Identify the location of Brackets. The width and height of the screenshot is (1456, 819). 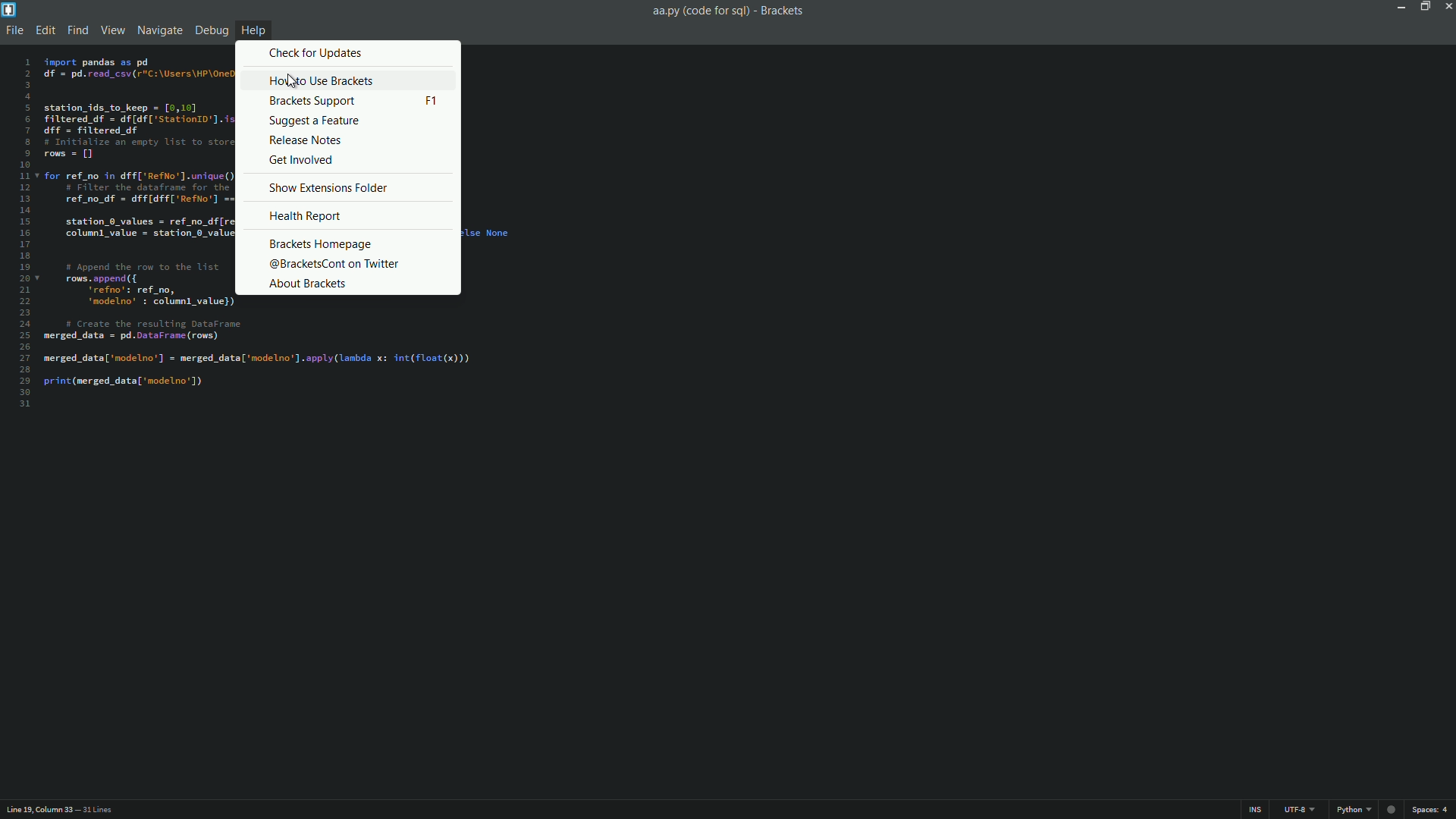
(784, 11).